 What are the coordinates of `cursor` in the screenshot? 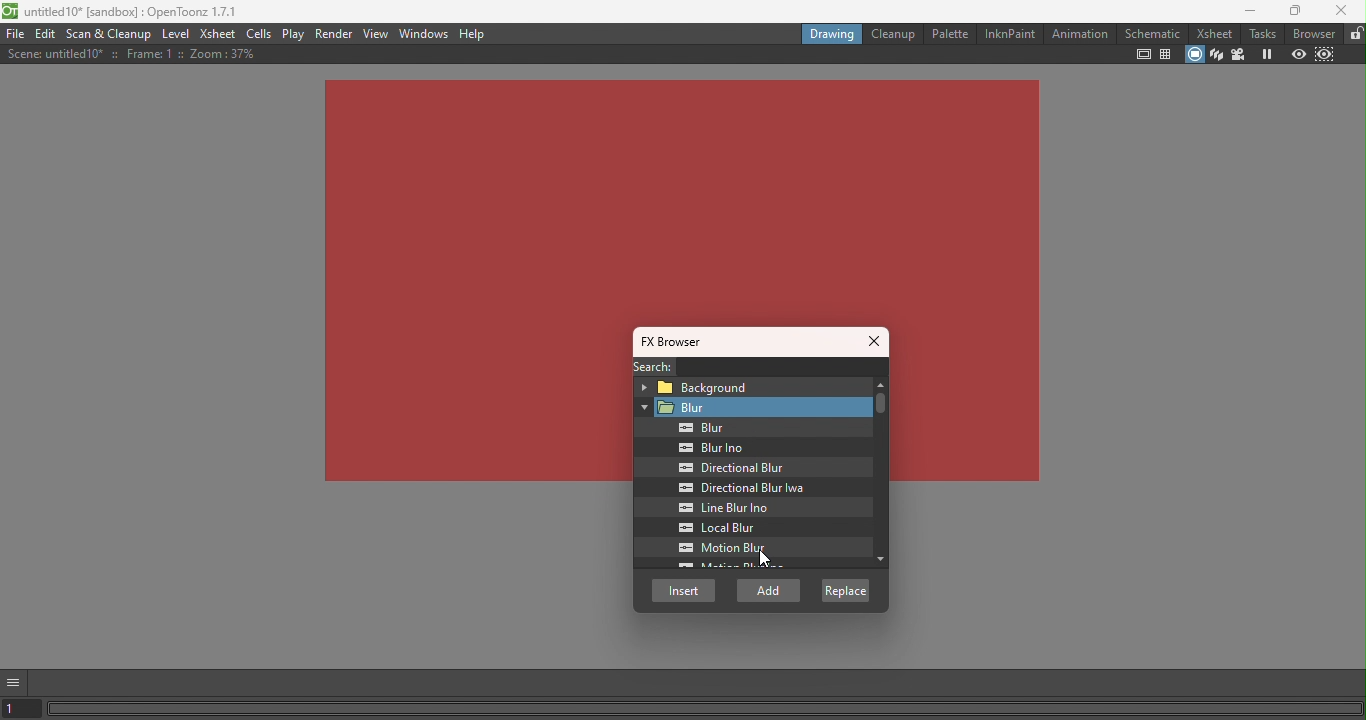 It's located at (765, 561).